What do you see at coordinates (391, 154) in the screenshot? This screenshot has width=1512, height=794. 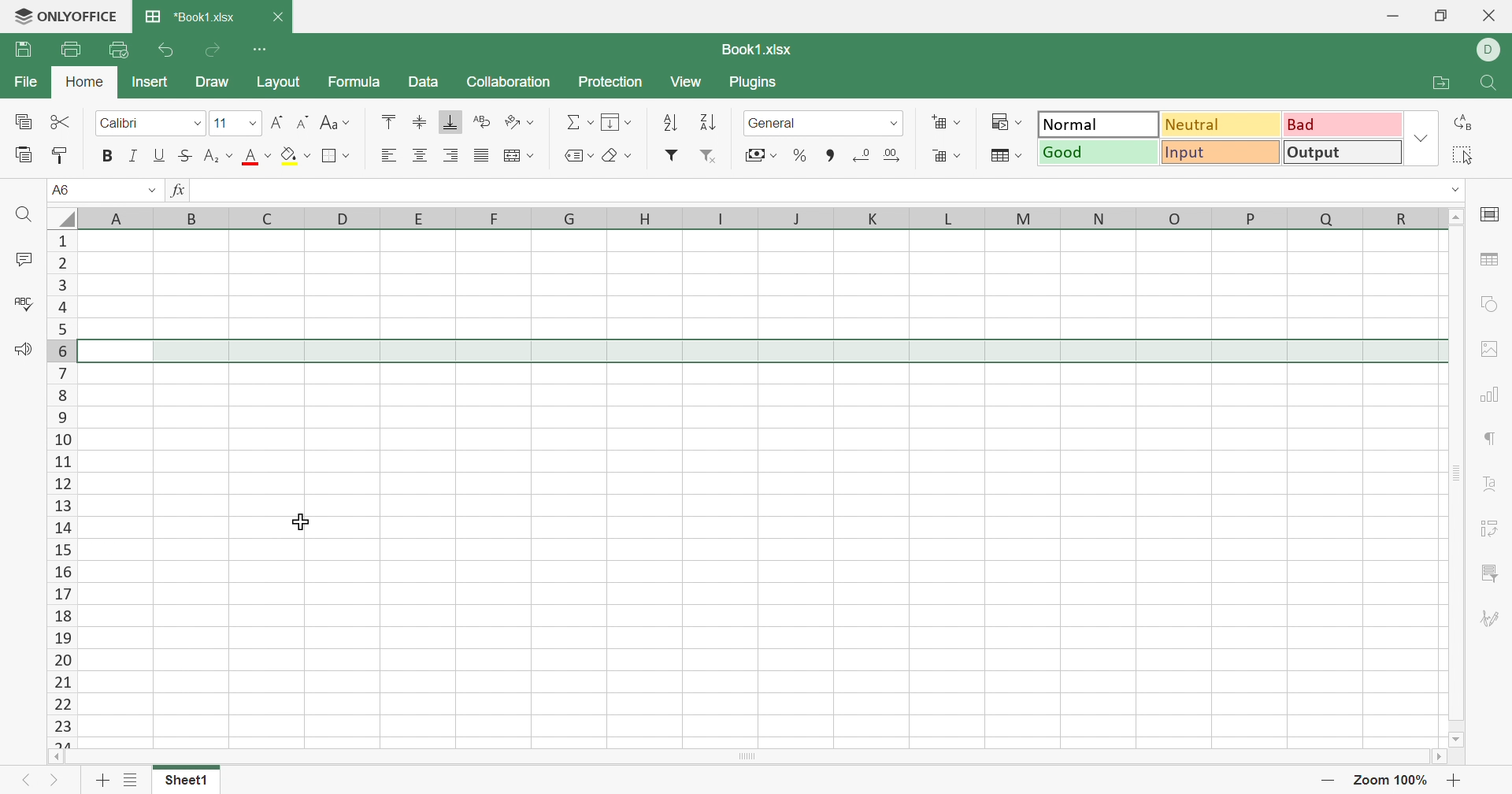 I see `Align Left` at bounding box center [391, 154].